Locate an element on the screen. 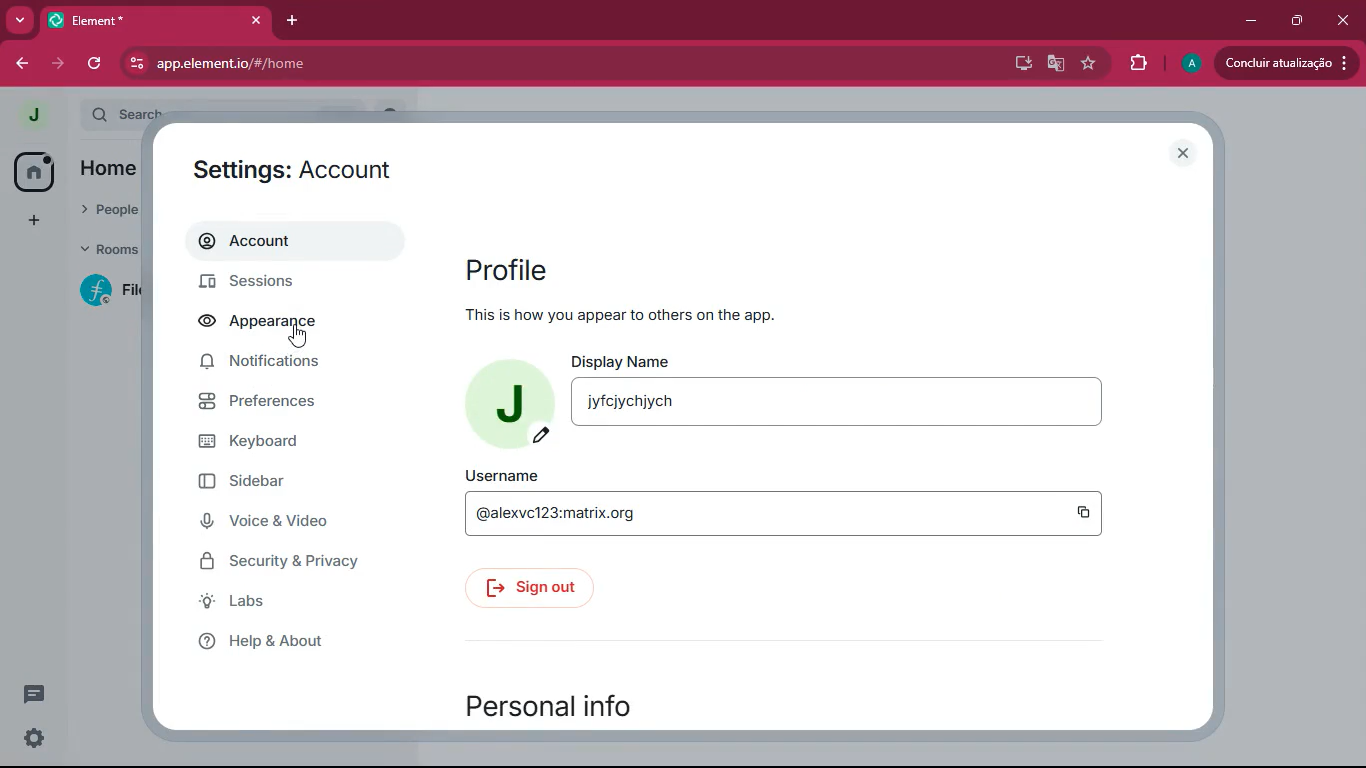  Settings: Account is located at coordinates (289, 167).